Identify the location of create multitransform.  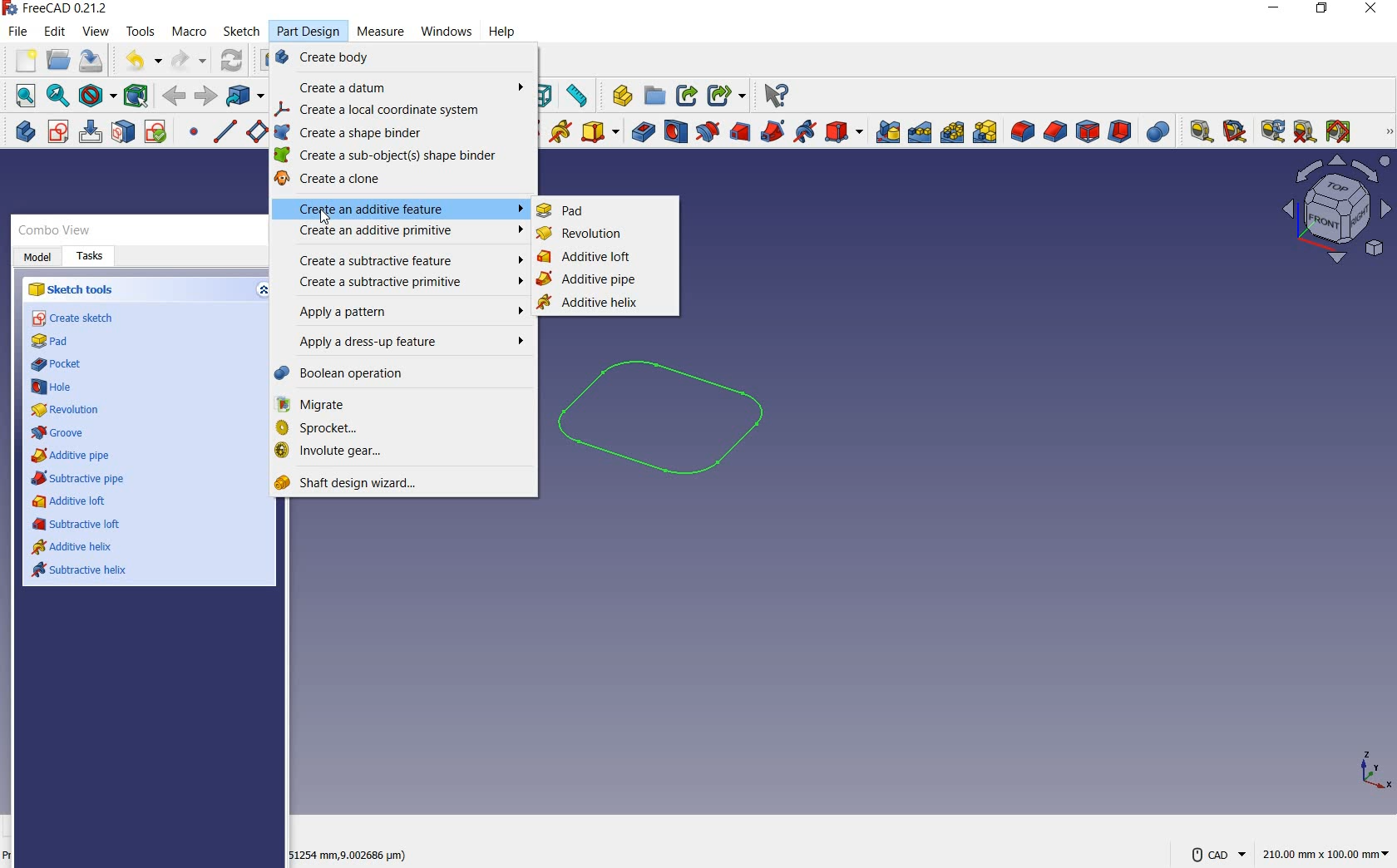
(988, 133).